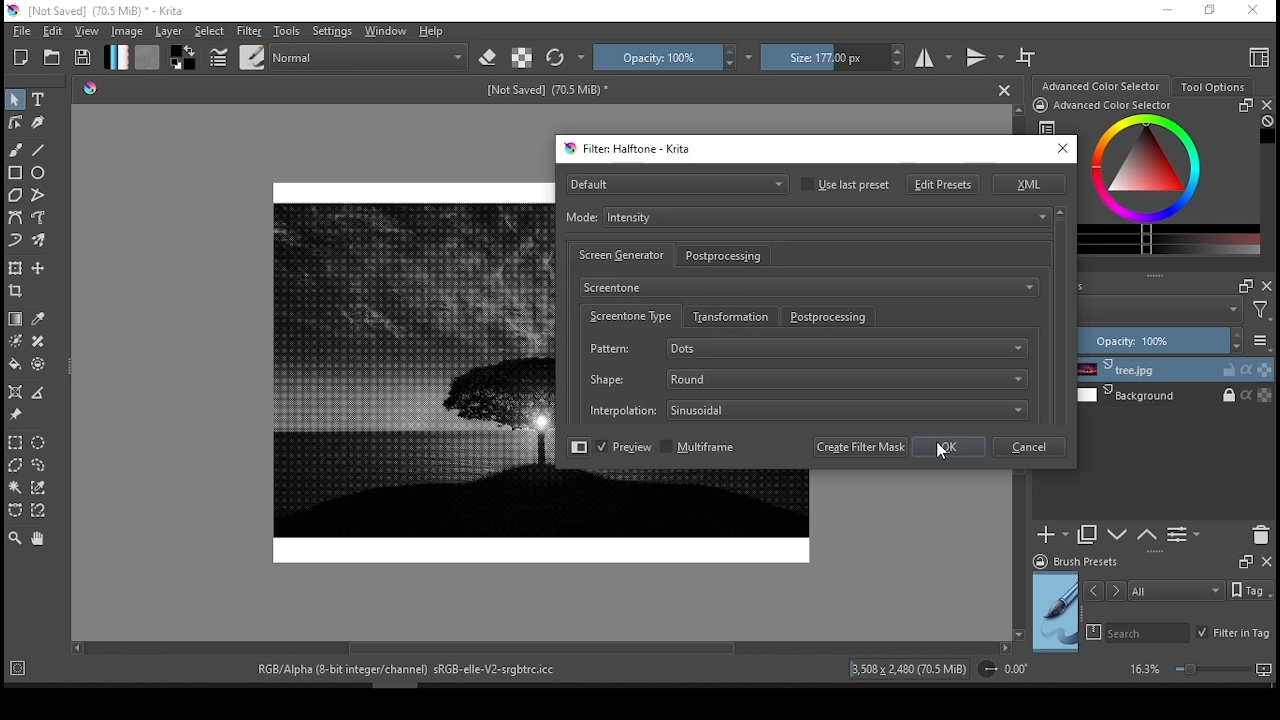 This screenshot has width=1280, height=720. Describe the element at coordinates (727, 256) in the screenshot. I see `postprocessing` at that location.